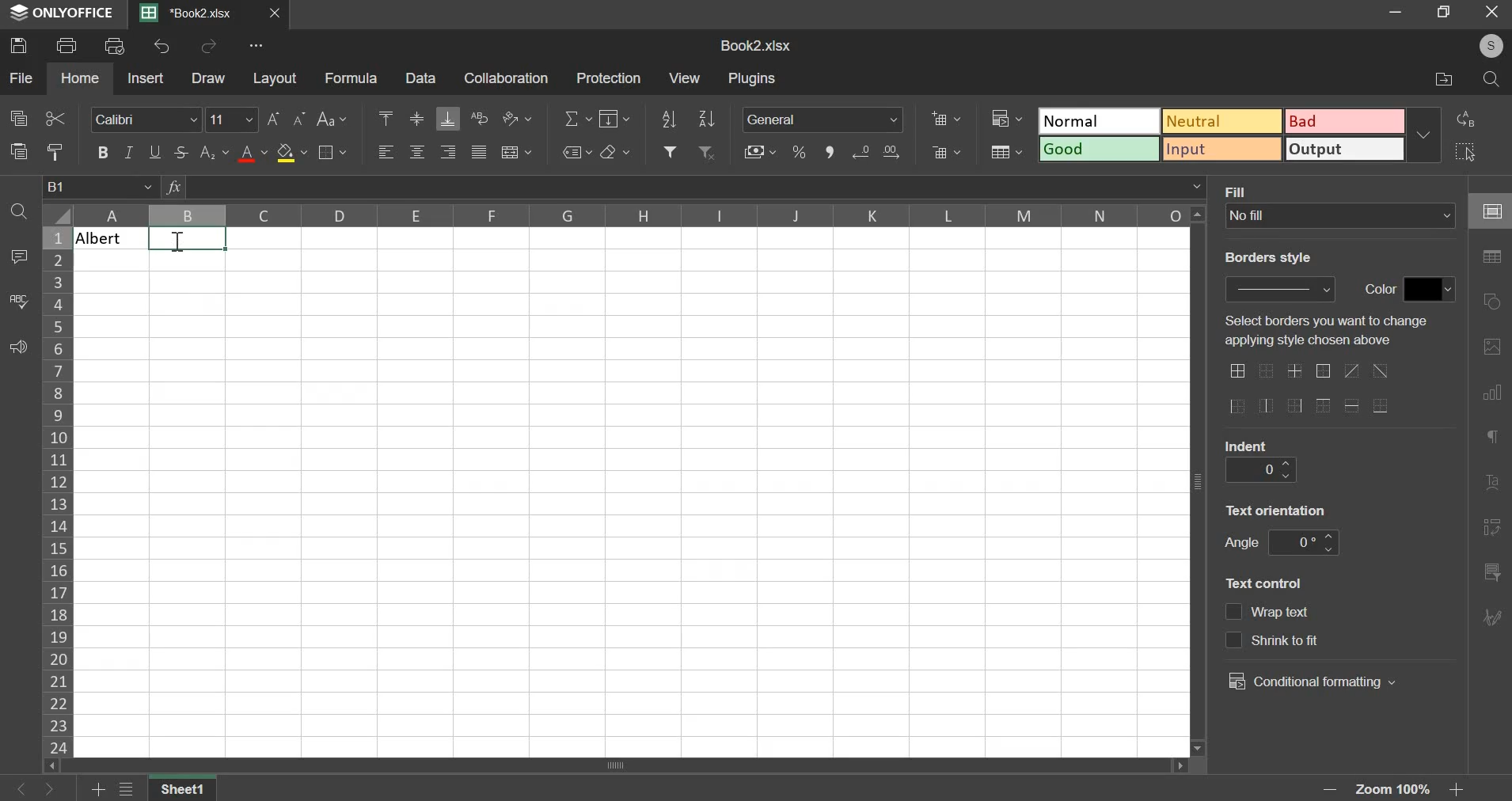 This screenshot has height=801, width=1512. Describe the element at coordinates (146, 120) in the screenshot. I see `font` at that location.